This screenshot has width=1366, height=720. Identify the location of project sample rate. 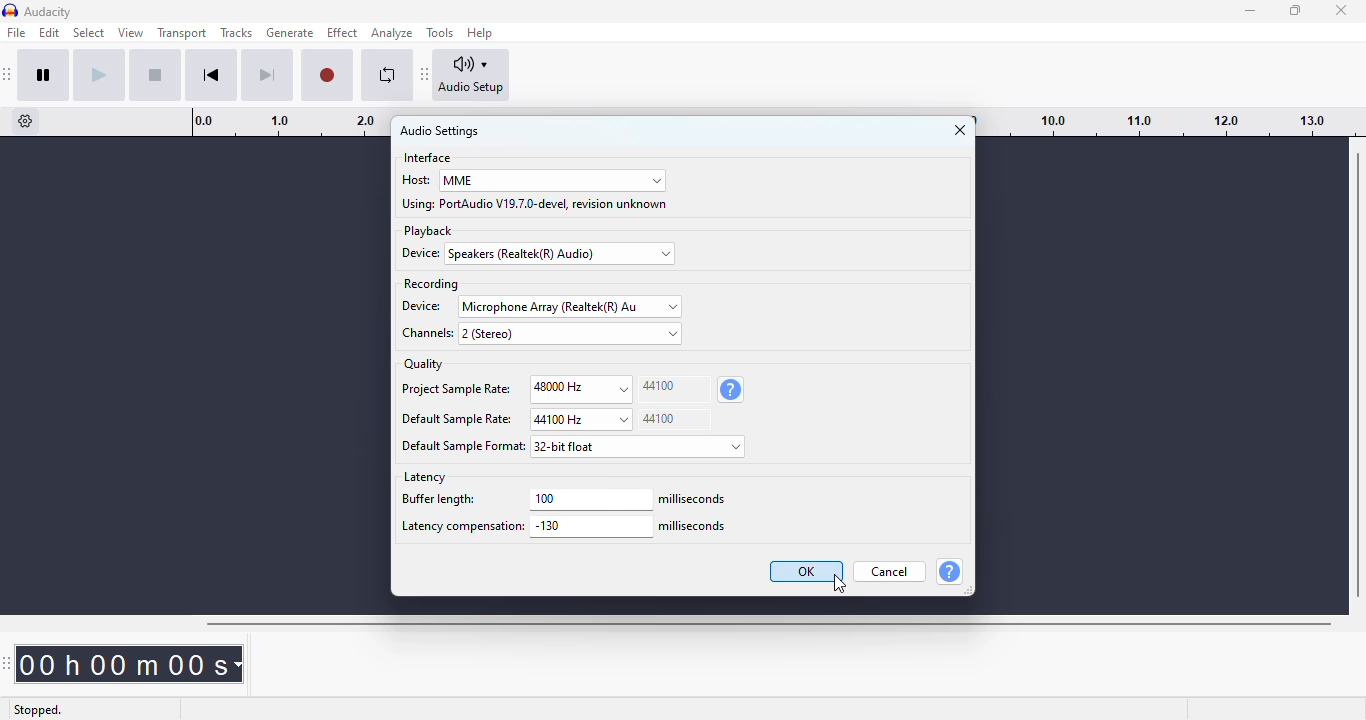
(455, 391).